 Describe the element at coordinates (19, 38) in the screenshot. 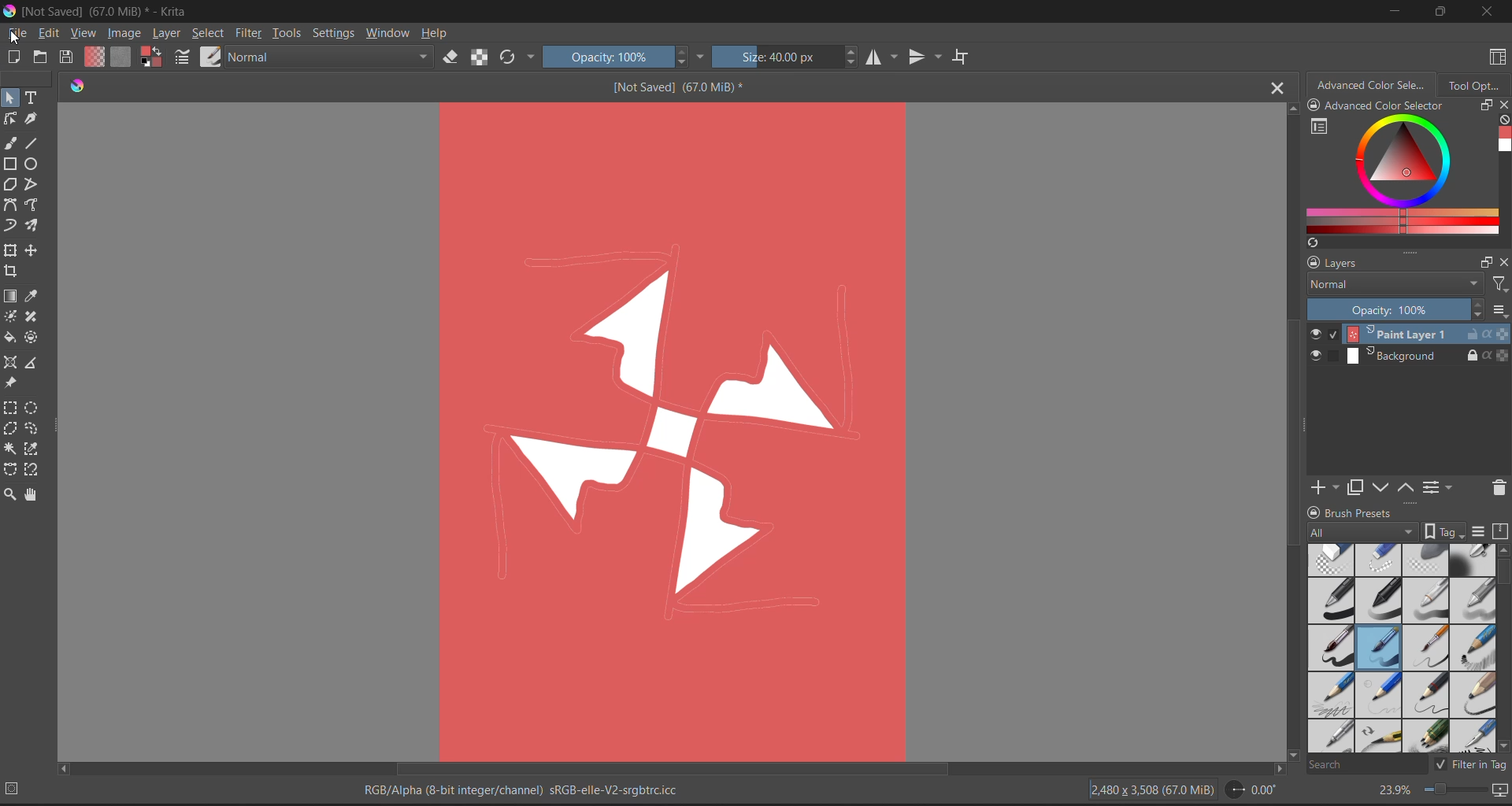

I see `cursor` at that location.